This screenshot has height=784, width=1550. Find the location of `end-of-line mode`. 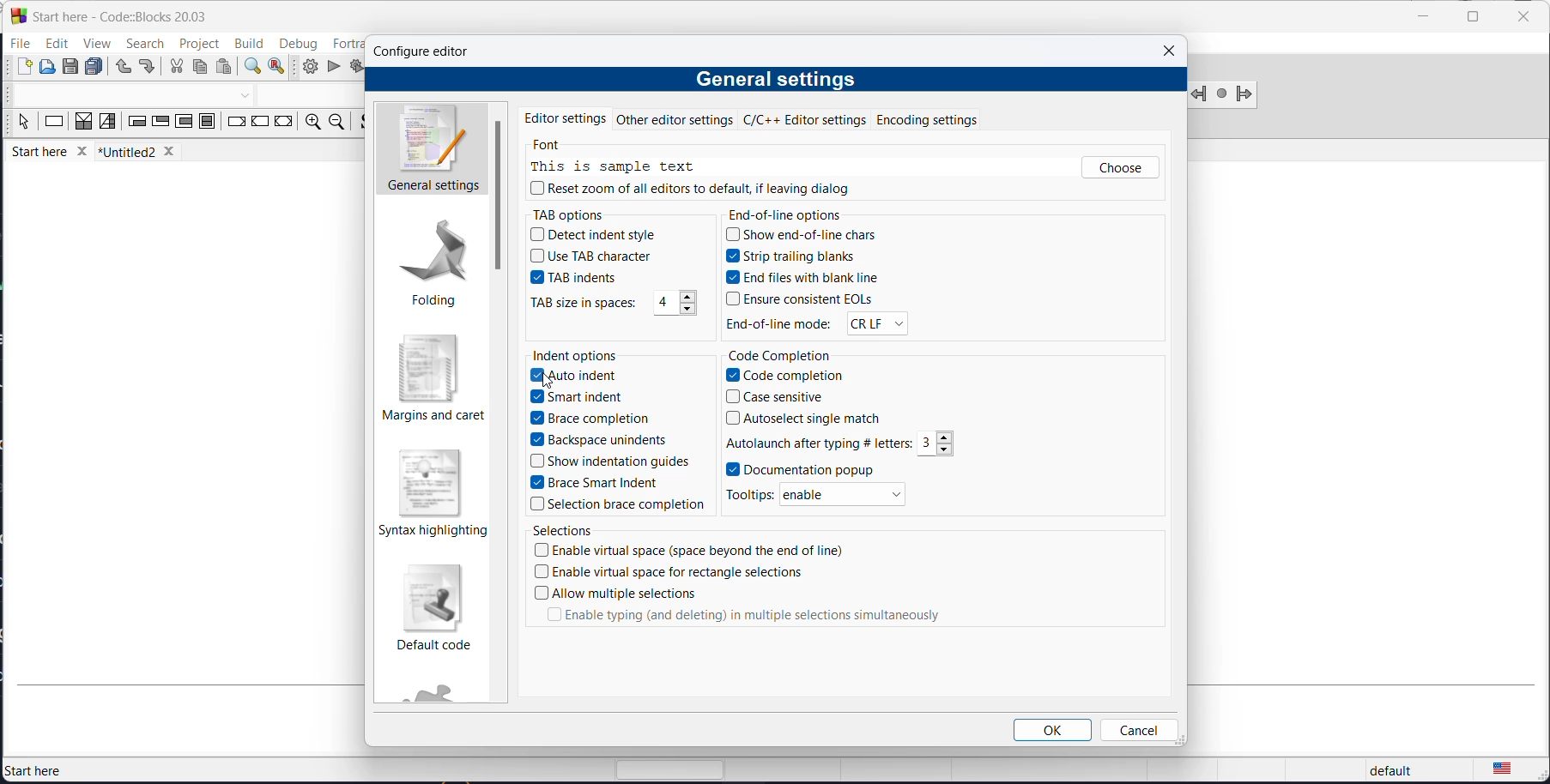

end-of-line mode is located at coordinates (781, 327).